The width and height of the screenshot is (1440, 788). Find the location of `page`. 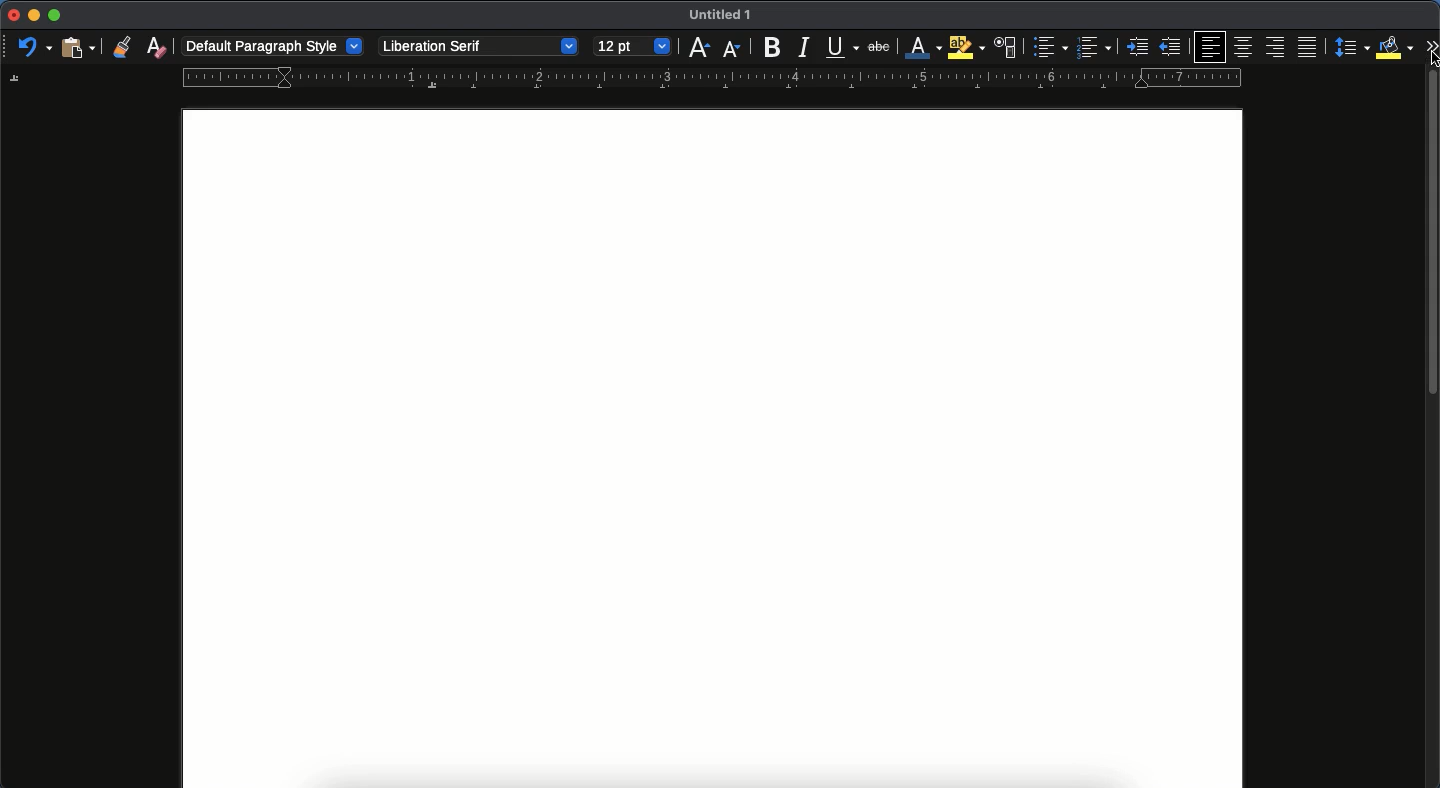

page is located at coordinates (712, 448).